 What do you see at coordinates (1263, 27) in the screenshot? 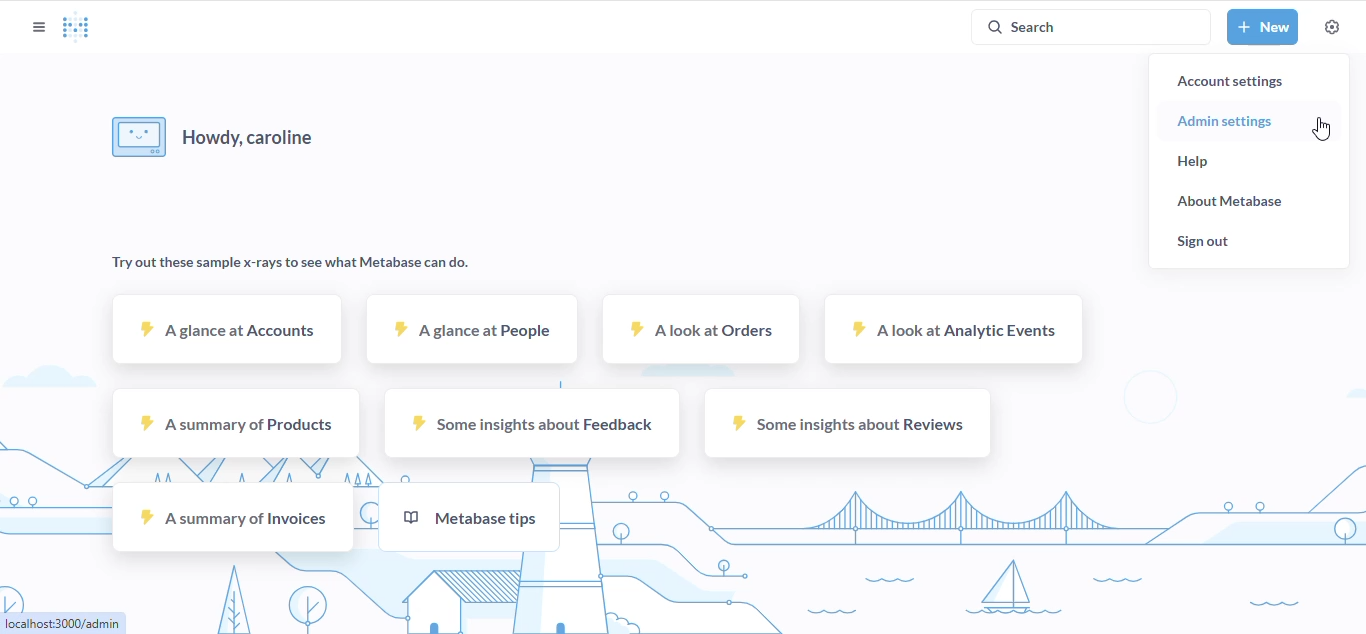
I see `new` at bounding box center [1263, 27].